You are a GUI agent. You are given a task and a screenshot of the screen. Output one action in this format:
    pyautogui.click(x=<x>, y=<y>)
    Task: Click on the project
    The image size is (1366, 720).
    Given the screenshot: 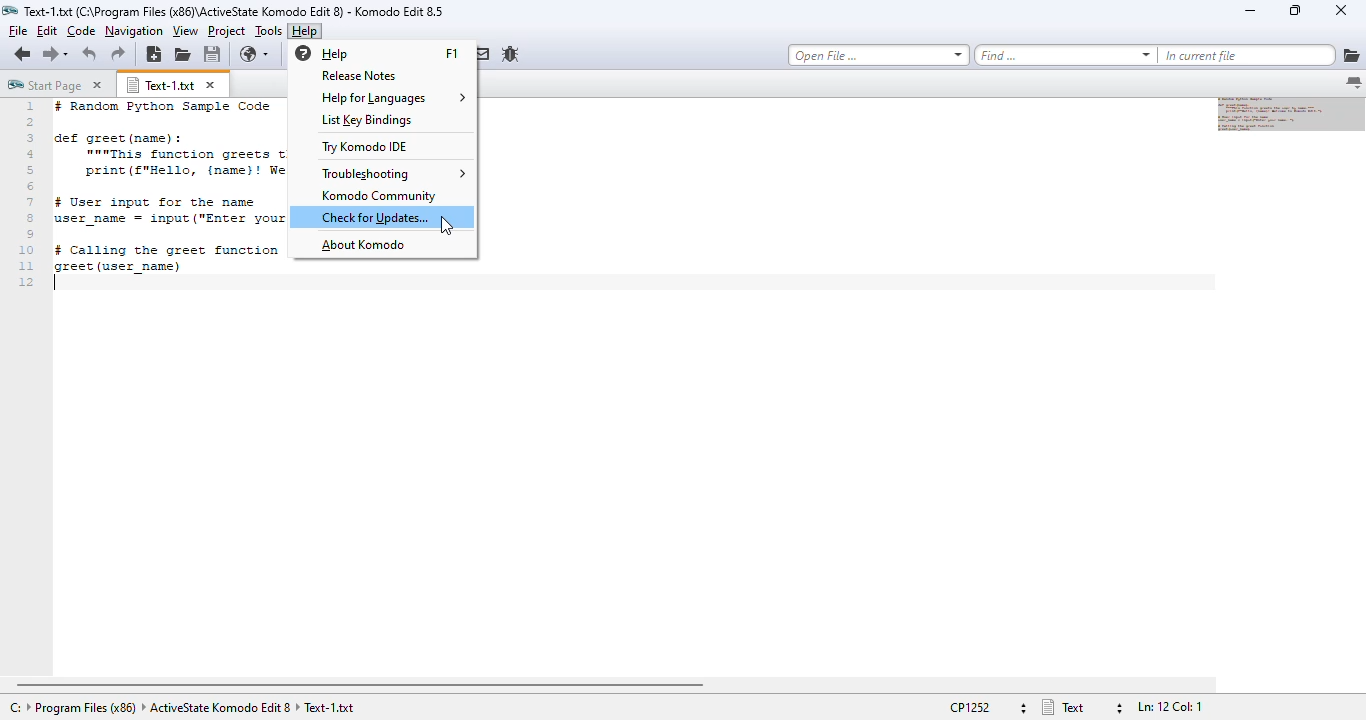 What is the action you would take?
    pyautogui.click(x=227, y=30)
    